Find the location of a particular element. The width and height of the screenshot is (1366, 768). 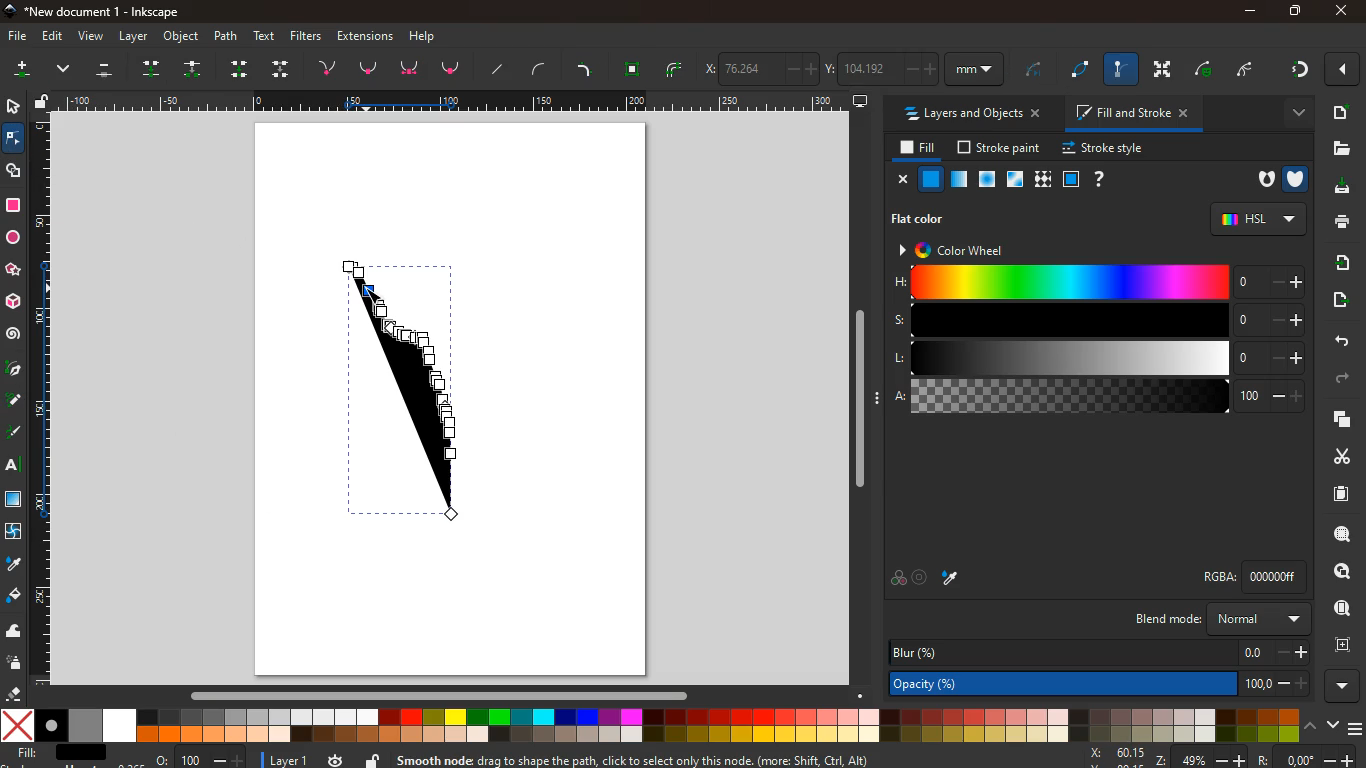

down is located at coordinates (282, 68).